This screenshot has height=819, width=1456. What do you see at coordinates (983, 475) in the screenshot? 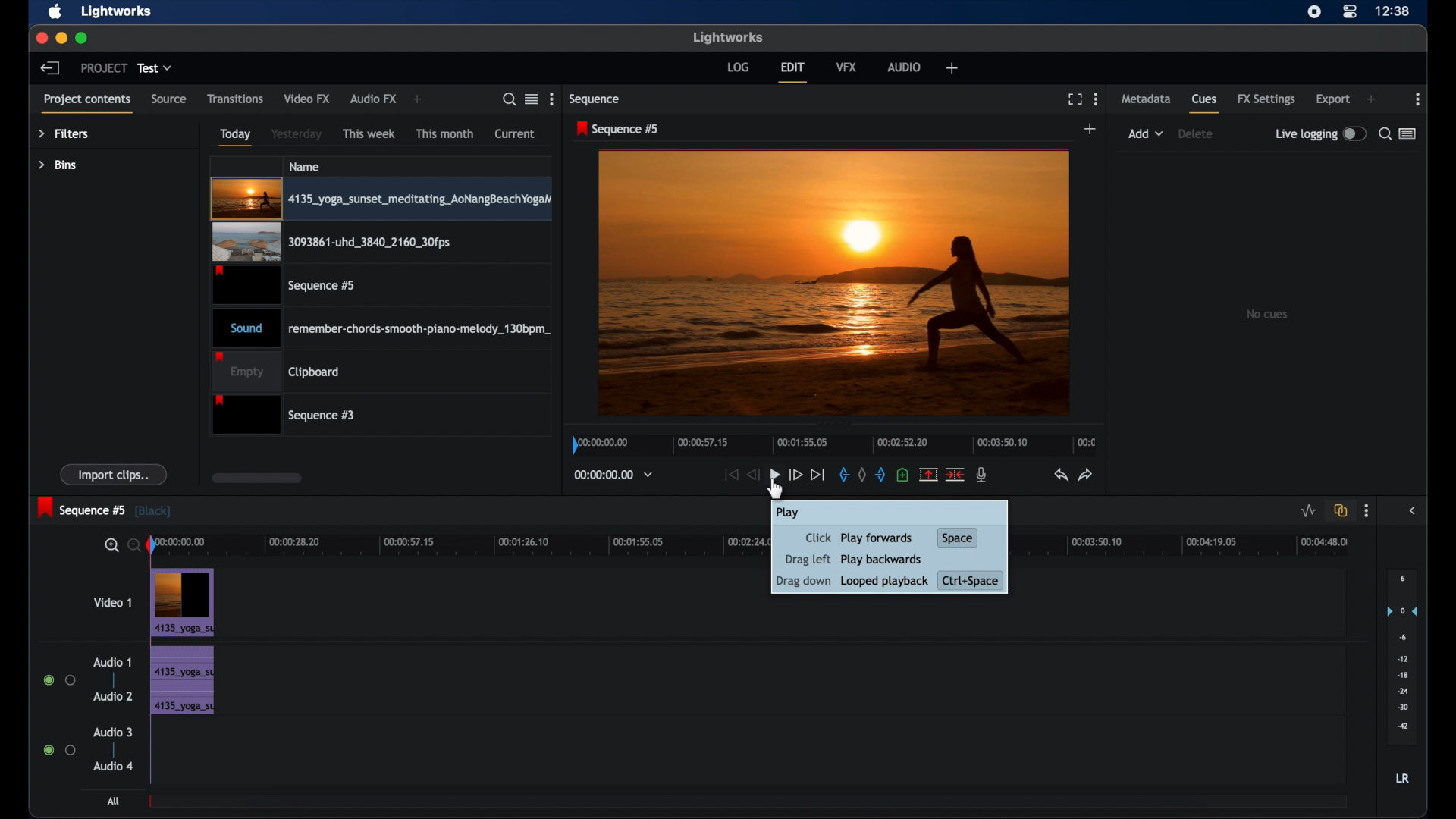
I see `mic` at bounding box center [983, 475].